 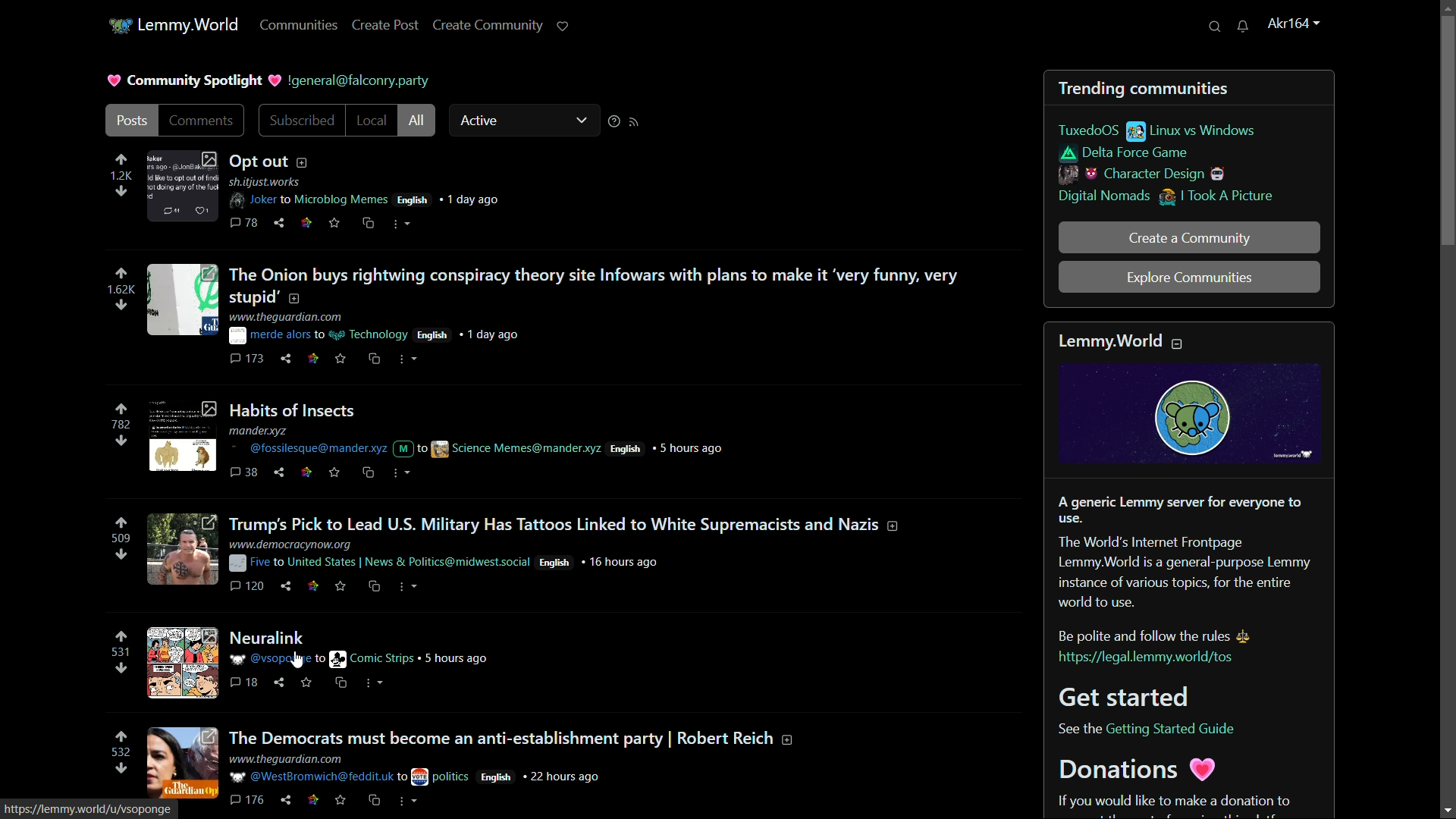 I want to click on image, so click(x=184, y=759).